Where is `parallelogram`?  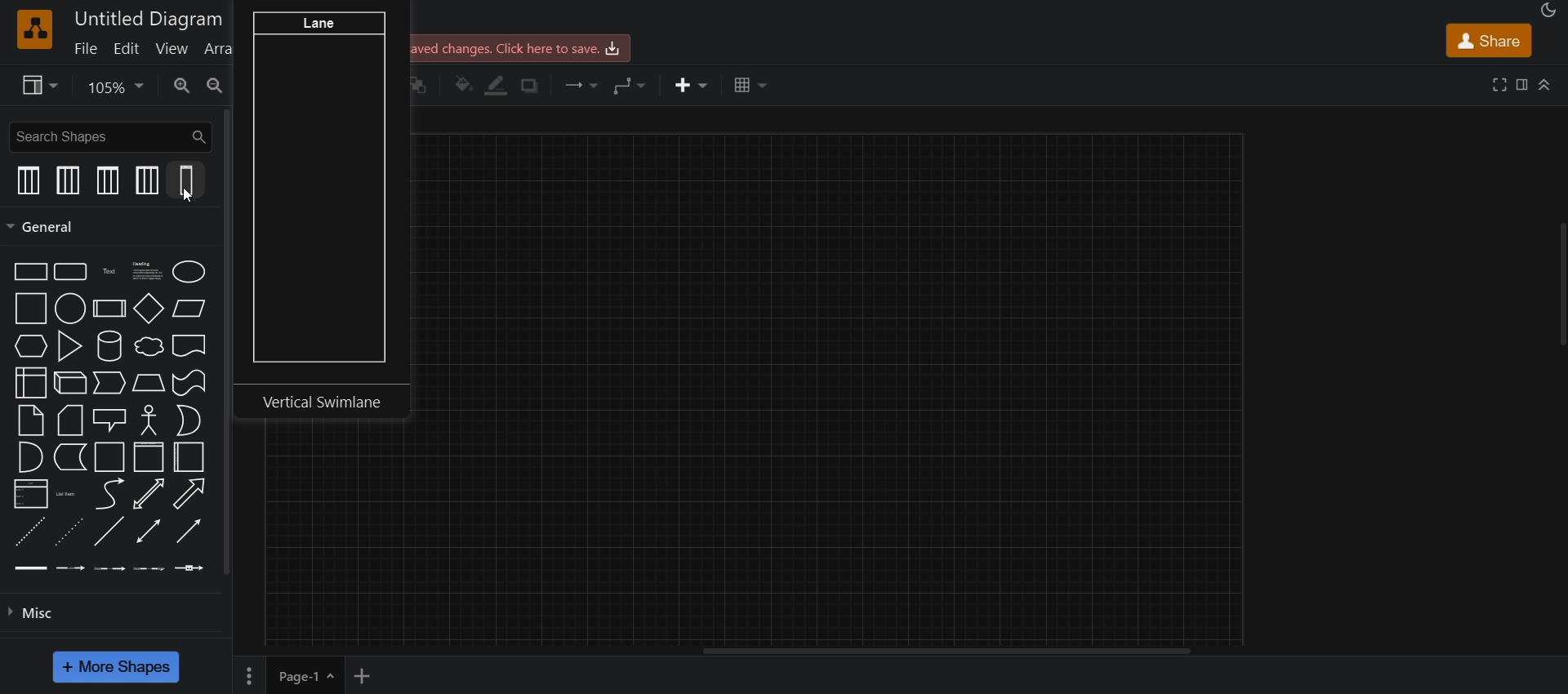
parallelogram is located at coordinates (188, 307).